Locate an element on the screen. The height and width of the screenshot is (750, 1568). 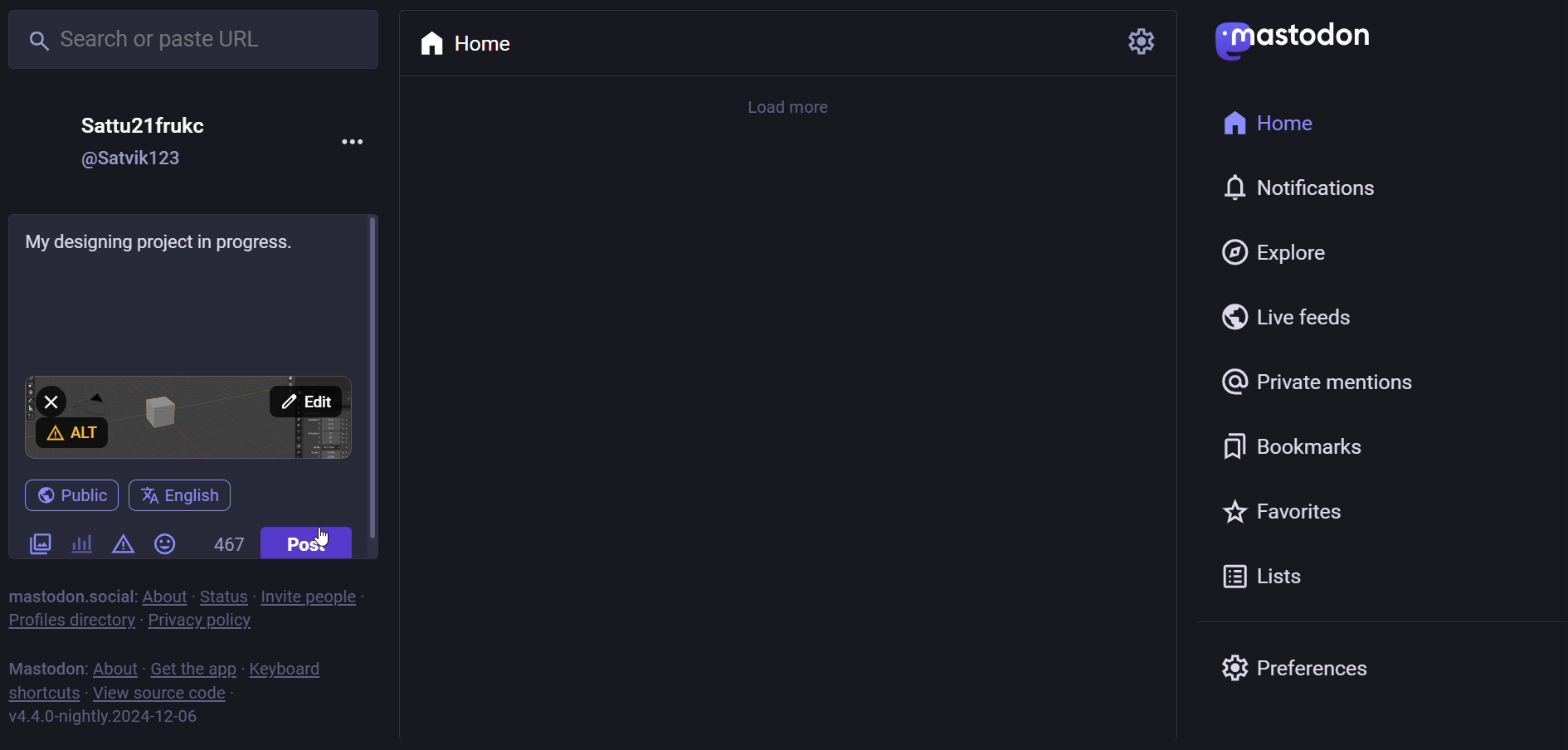
shortcuts is located at coordinates (41, 693).